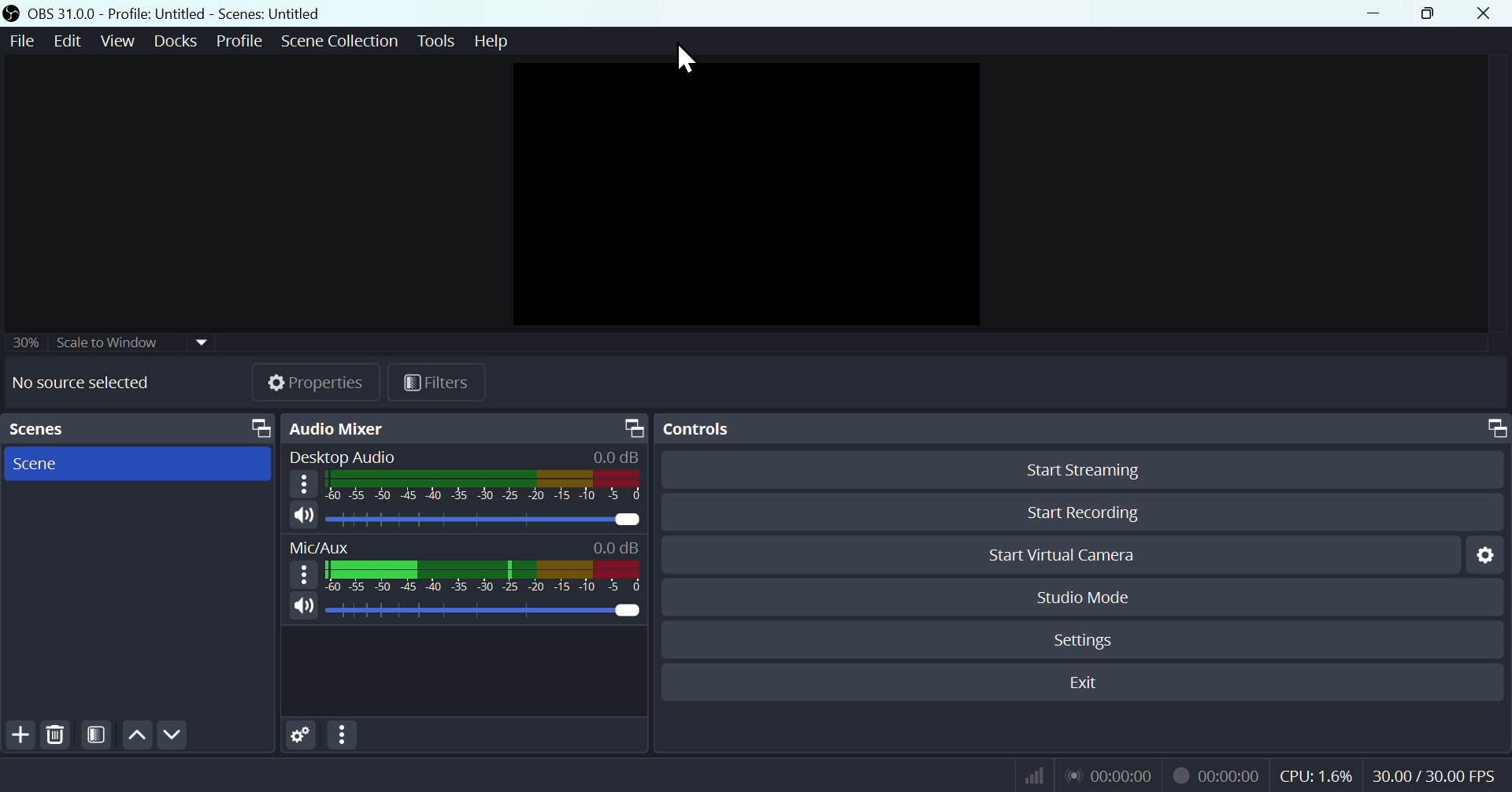  What do you see at coordinates (613, 546) in the screenshot?
I see `0.0dB` at bounding box center [613, 546].